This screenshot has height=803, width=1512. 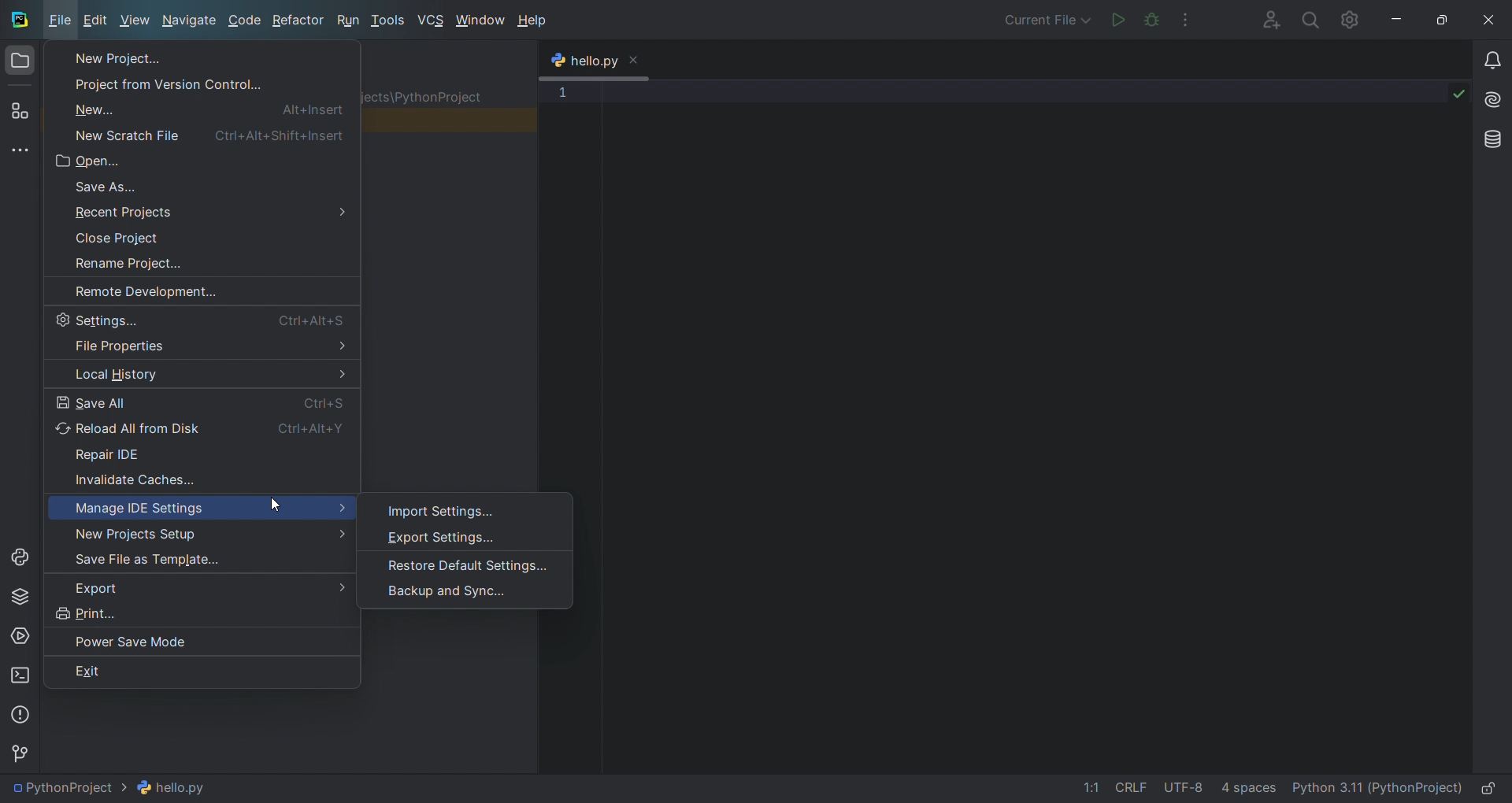 What do you see at coordinates (19, 600) in the screenshot?
I see `python package` at bounding box center [19, 600].